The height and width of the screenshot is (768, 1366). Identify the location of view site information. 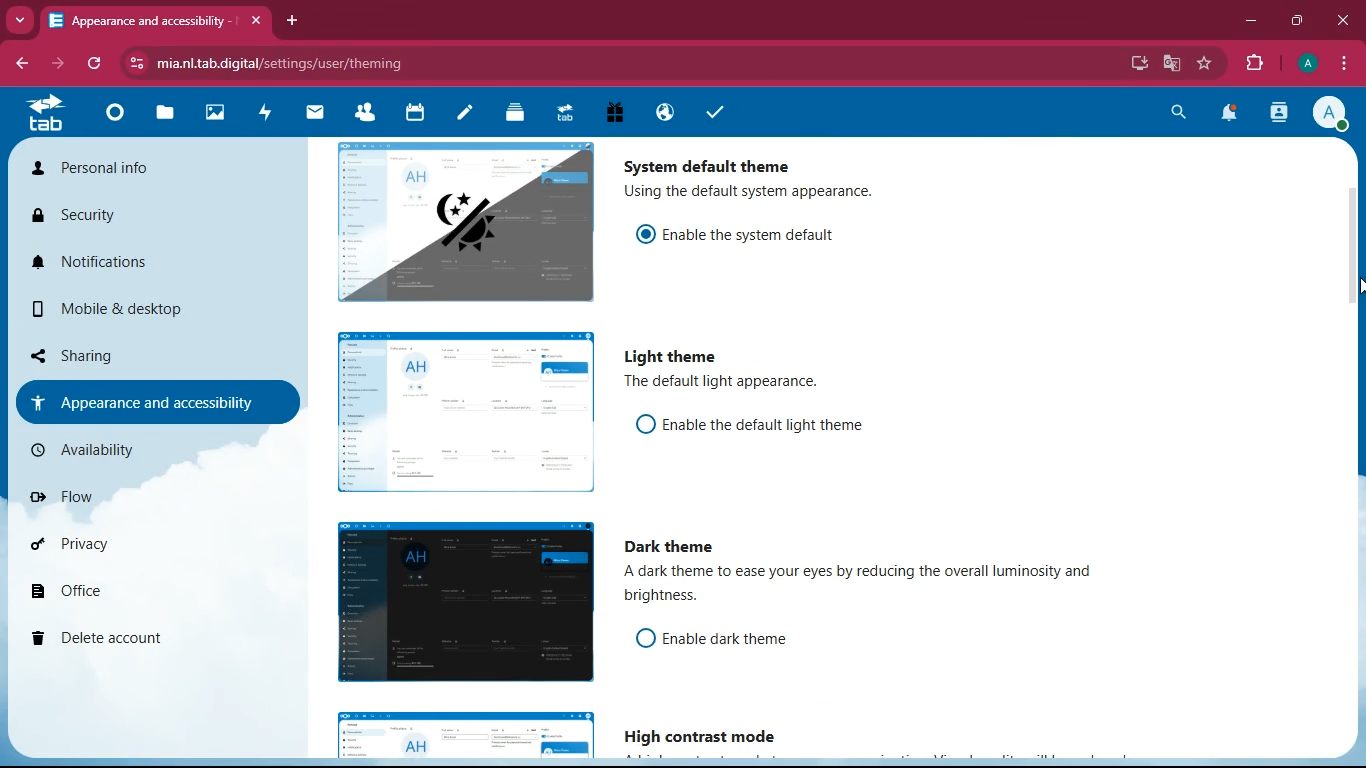
(139, 64).